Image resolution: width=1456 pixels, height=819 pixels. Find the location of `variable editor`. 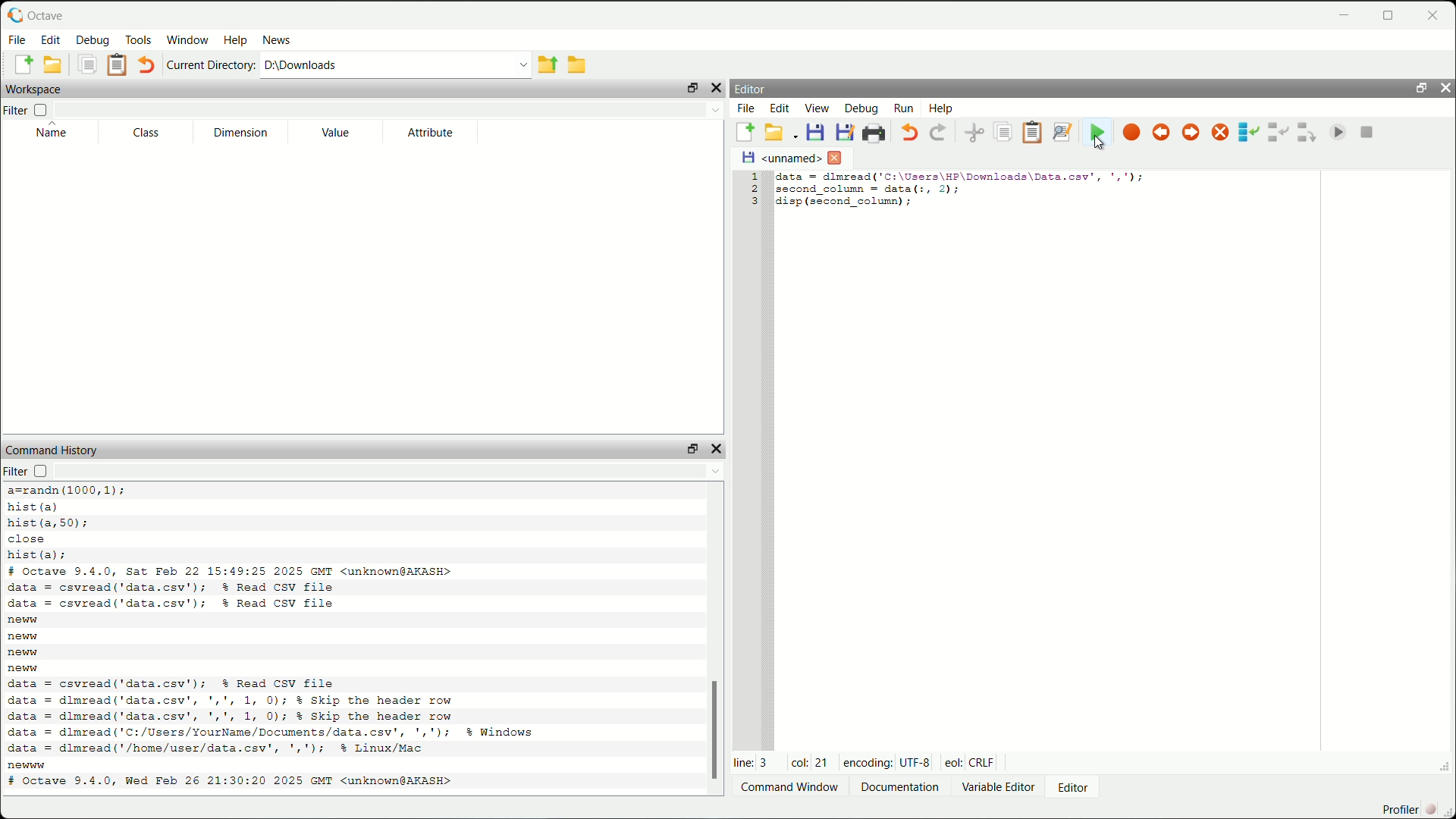

variable editor is located at coordinates (1000, 786).